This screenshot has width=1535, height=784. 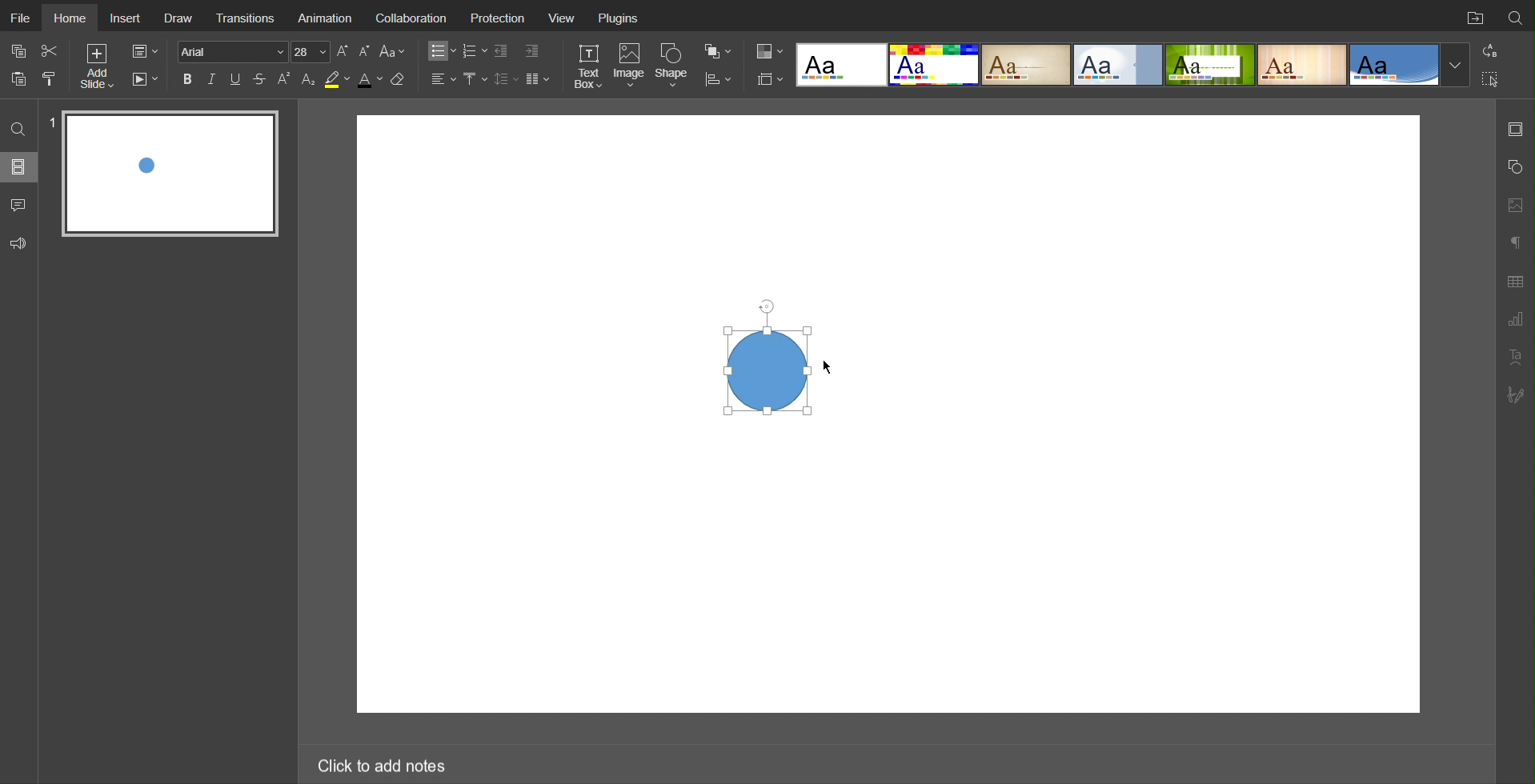 What do you see at coordinates (53, 119) in the screenshot?
I see `slide number` at bounding box center [53, 119].